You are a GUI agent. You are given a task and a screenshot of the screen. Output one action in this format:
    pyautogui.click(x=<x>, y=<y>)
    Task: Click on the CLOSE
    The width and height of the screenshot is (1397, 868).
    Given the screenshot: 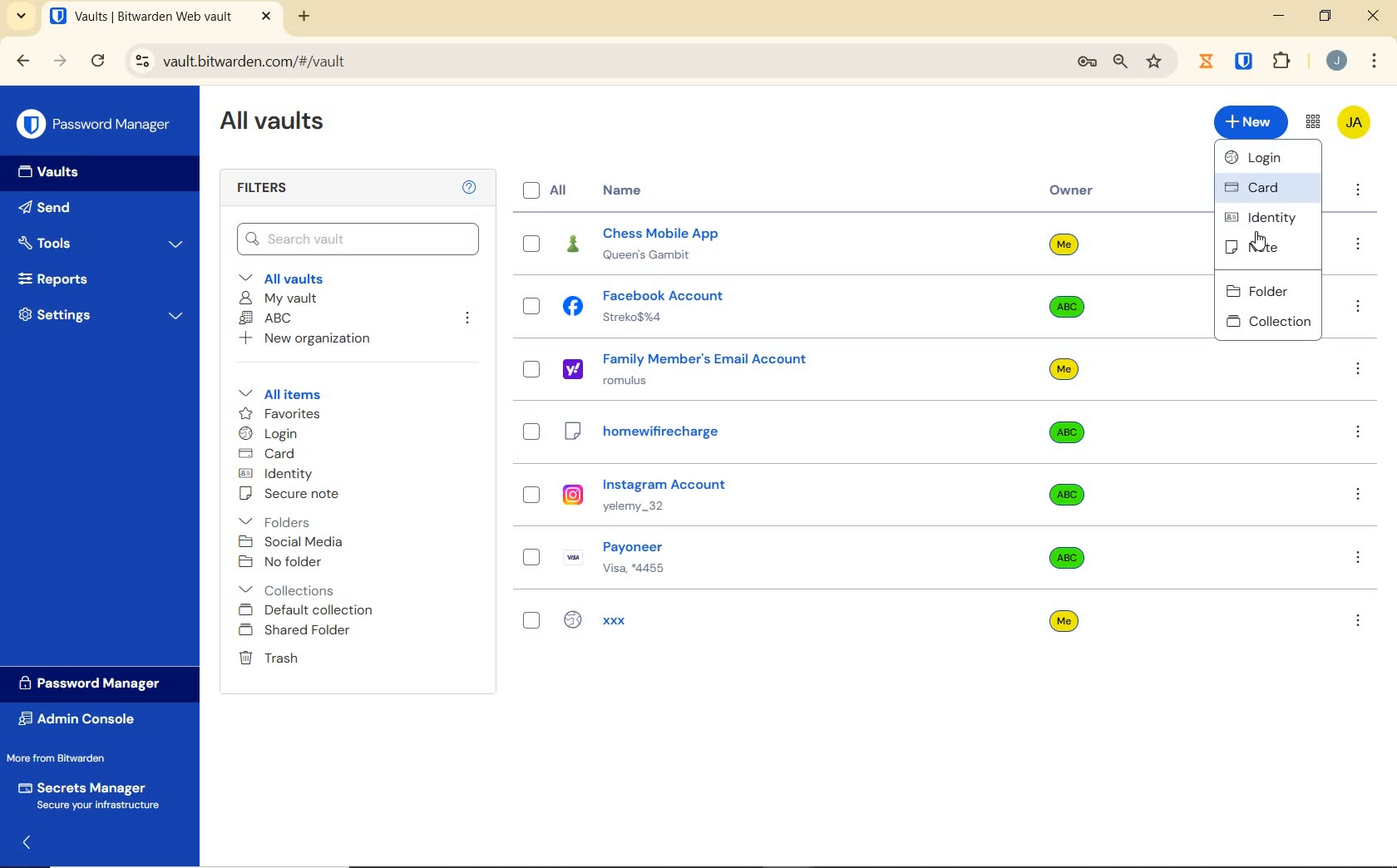 What is the action you would take?
    pyautogui.click(x=266, y=17)
    